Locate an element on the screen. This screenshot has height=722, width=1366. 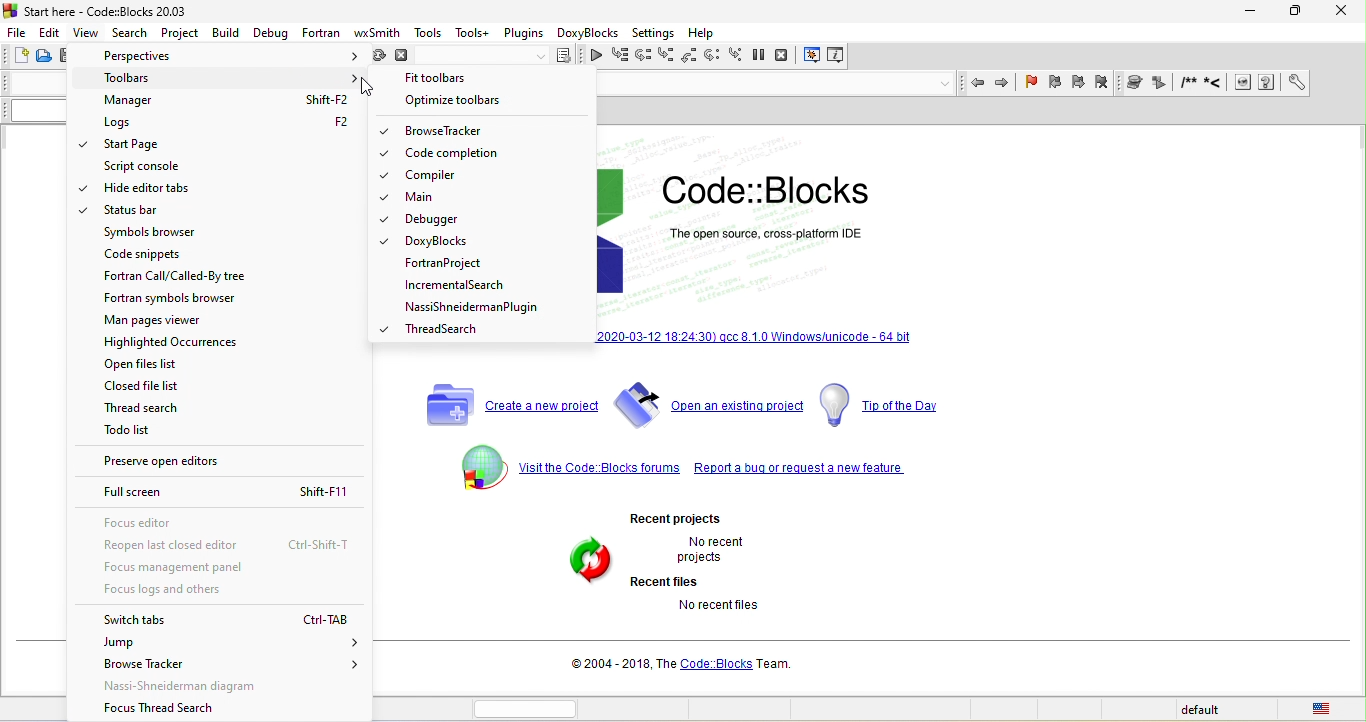
extract documentation is located at coordinates (1162, 84).